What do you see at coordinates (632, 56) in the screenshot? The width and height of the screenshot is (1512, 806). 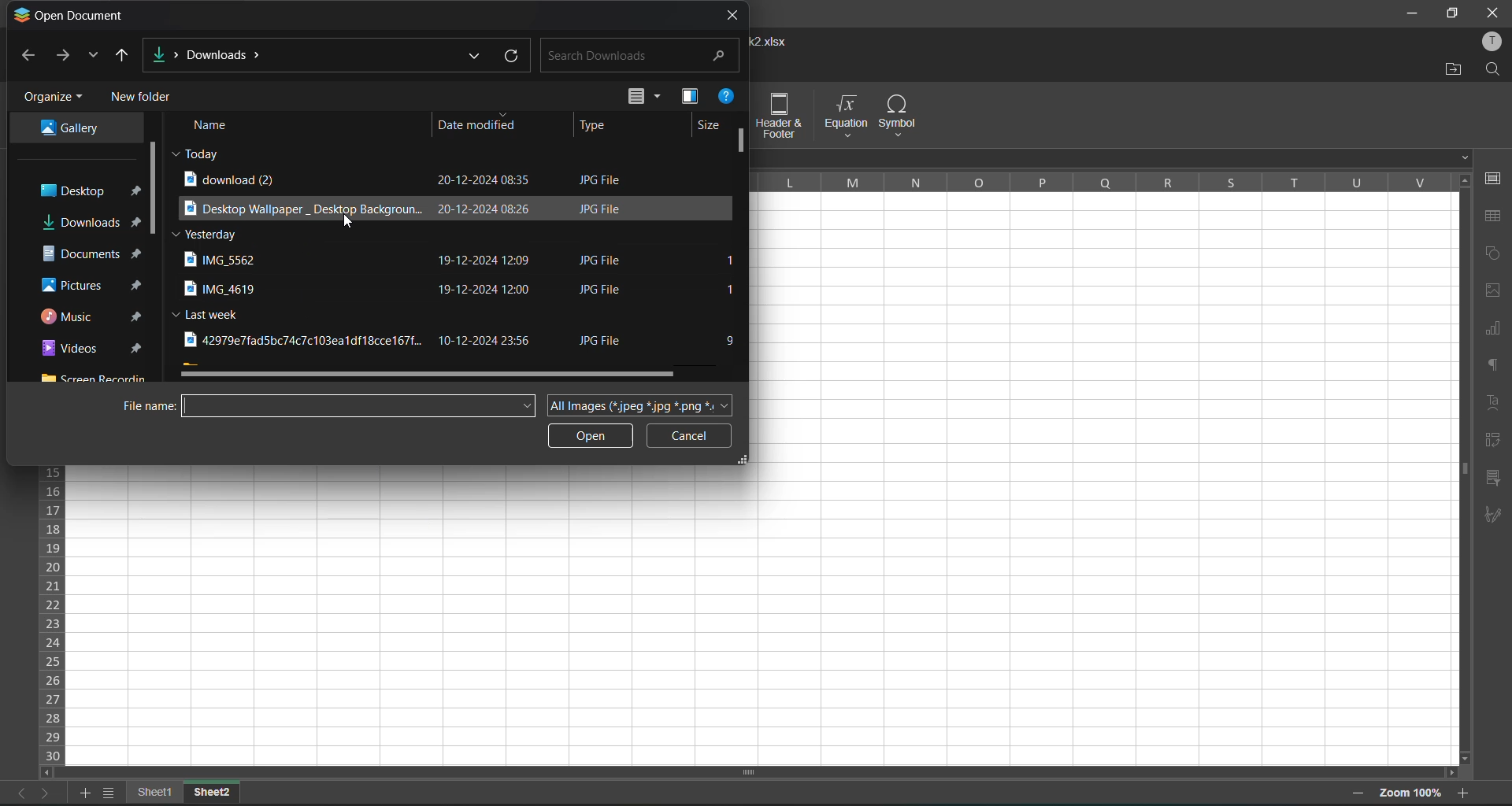 I see `search` at bounding box center [632, 56].